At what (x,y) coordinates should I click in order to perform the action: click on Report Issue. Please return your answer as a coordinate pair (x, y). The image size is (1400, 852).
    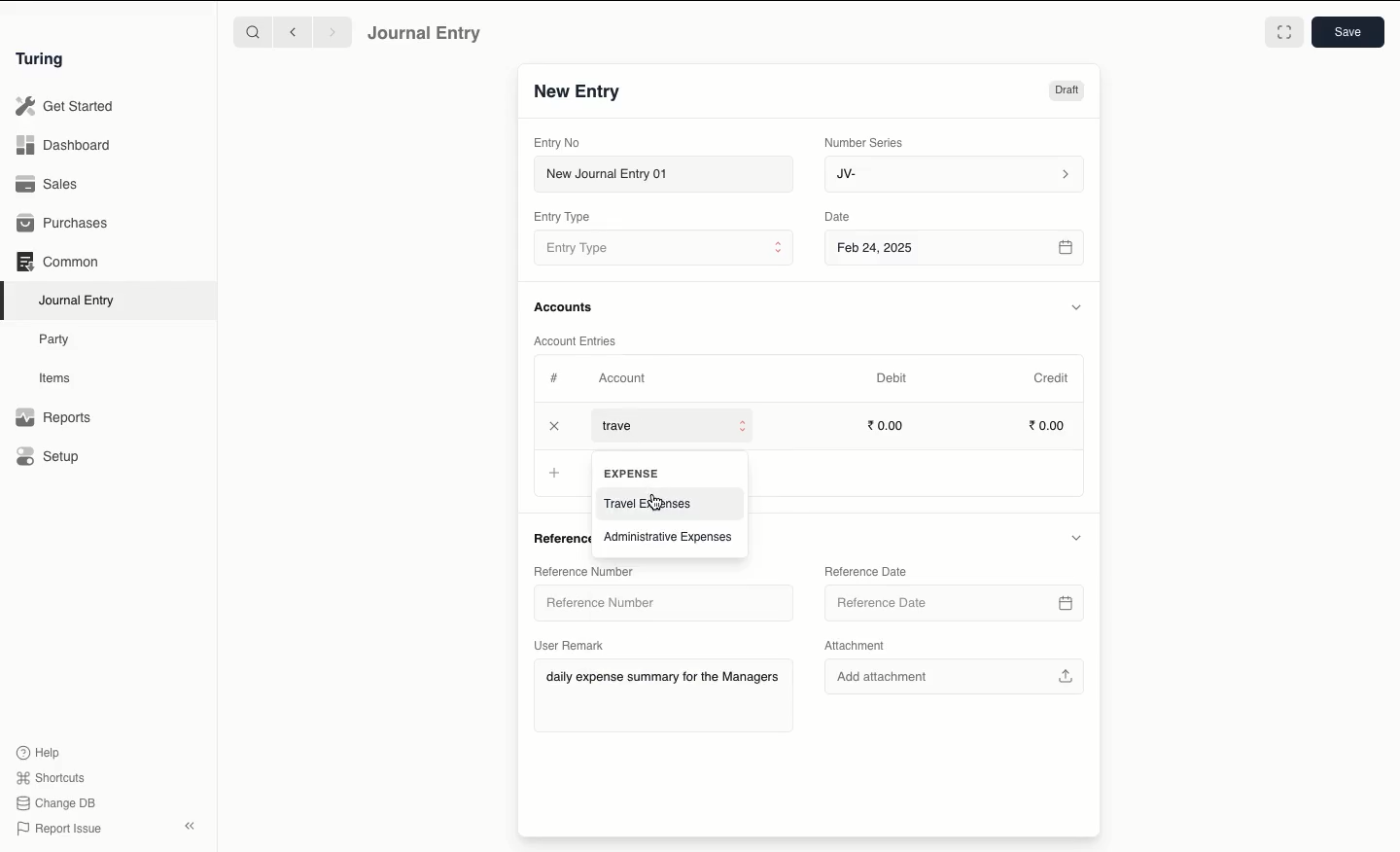
    Looking at the image, I should click on (61, 830).